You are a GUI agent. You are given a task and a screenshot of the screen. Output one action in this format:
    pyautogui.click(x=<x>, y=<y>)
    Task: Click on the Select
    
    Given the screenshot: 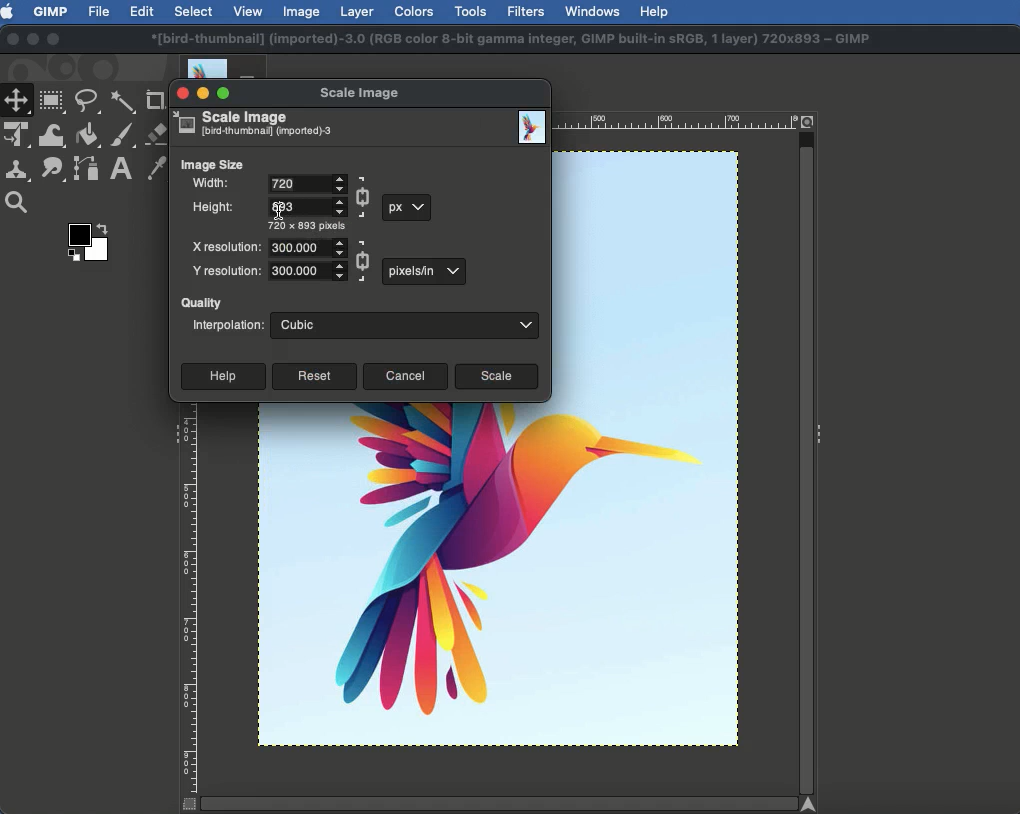 What is the action you would take?
    pyautogui.click(x=192, y=11)
    